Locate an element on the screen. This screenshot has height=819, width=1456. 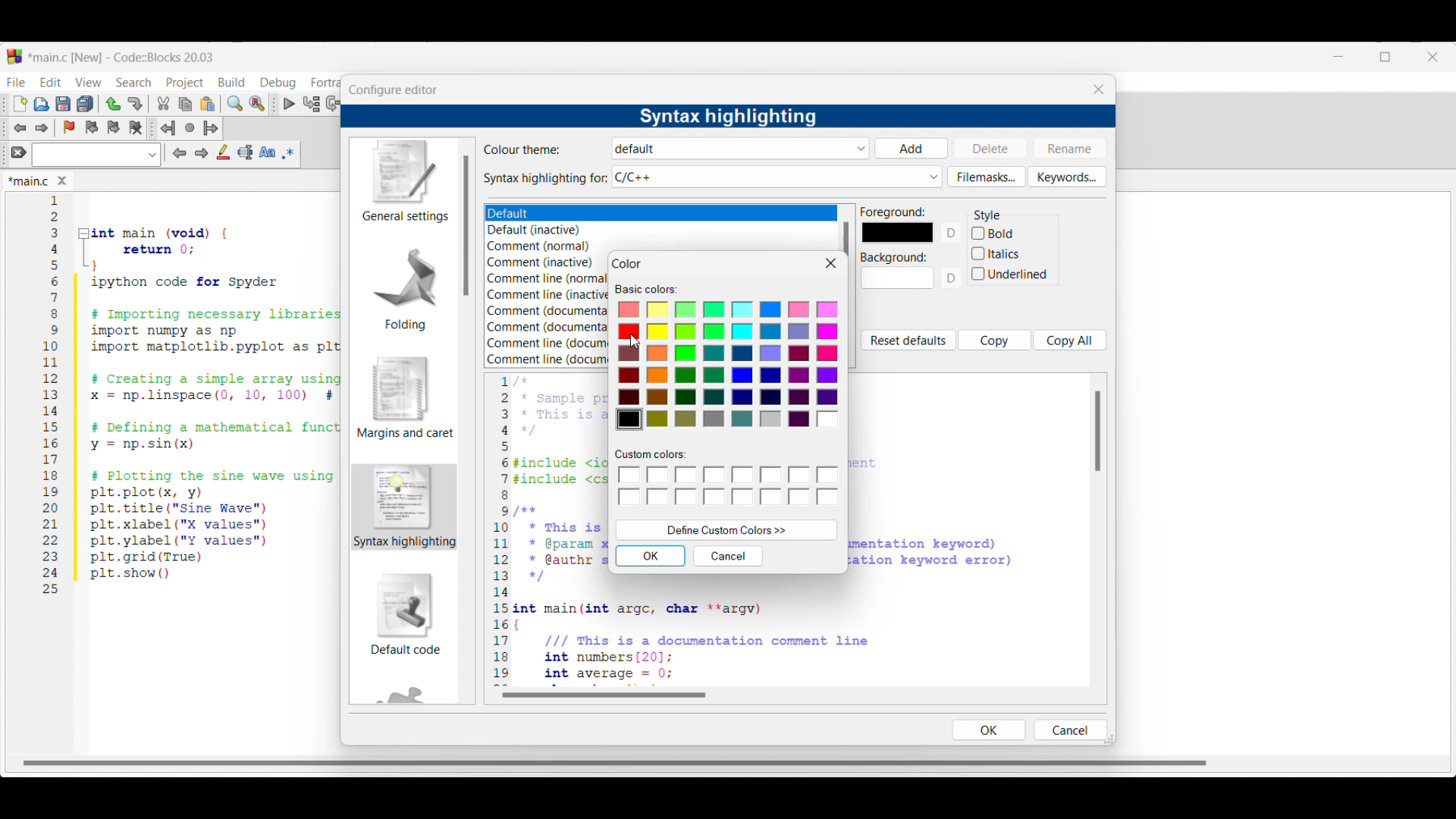
Run to cursor is located at coordinates (312, 103).